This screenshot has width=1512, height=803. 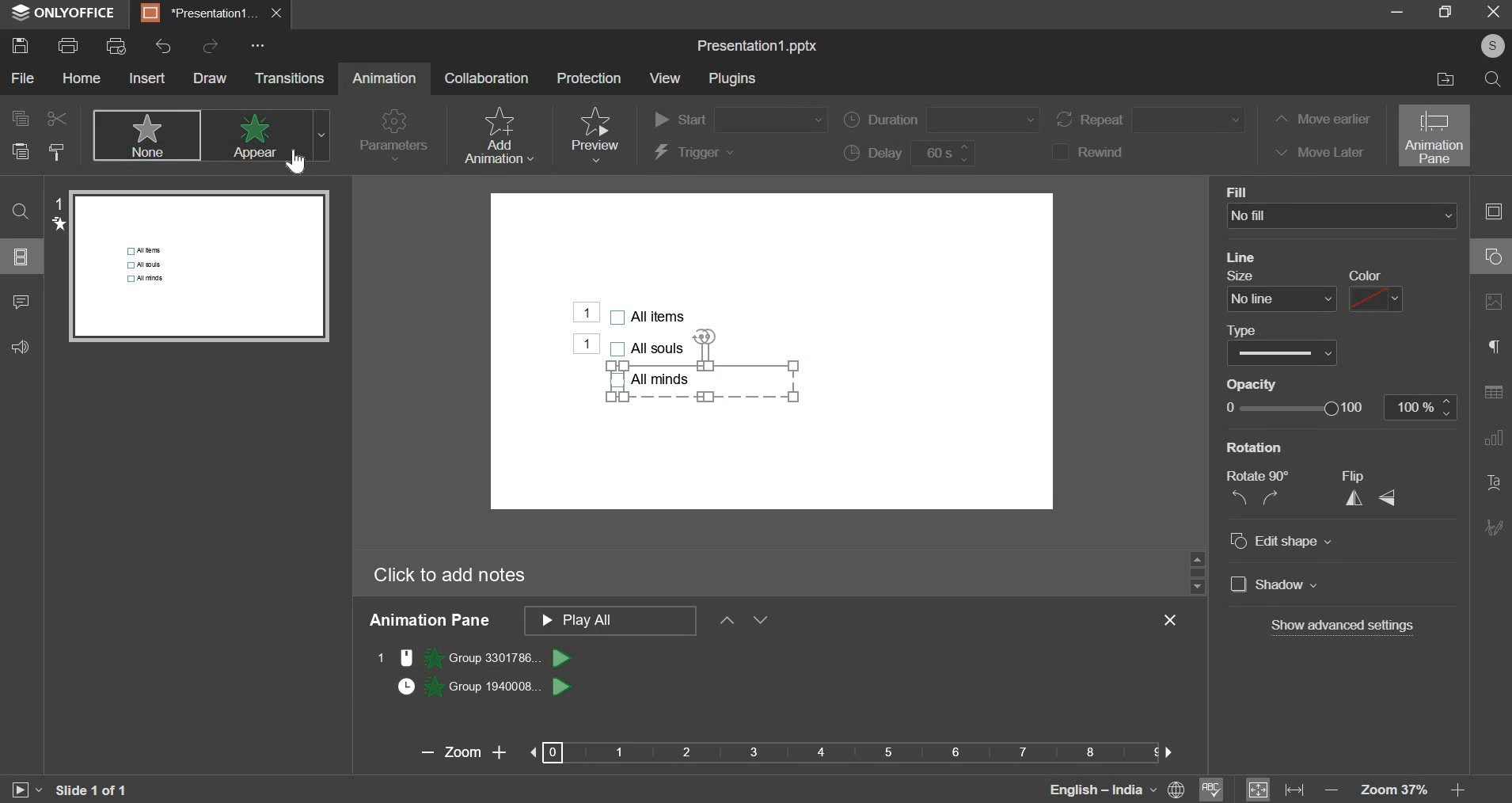 What do you see at coordinates (18, 117) in the screenshot?
I see `copy` at bounding box center [18, 117].